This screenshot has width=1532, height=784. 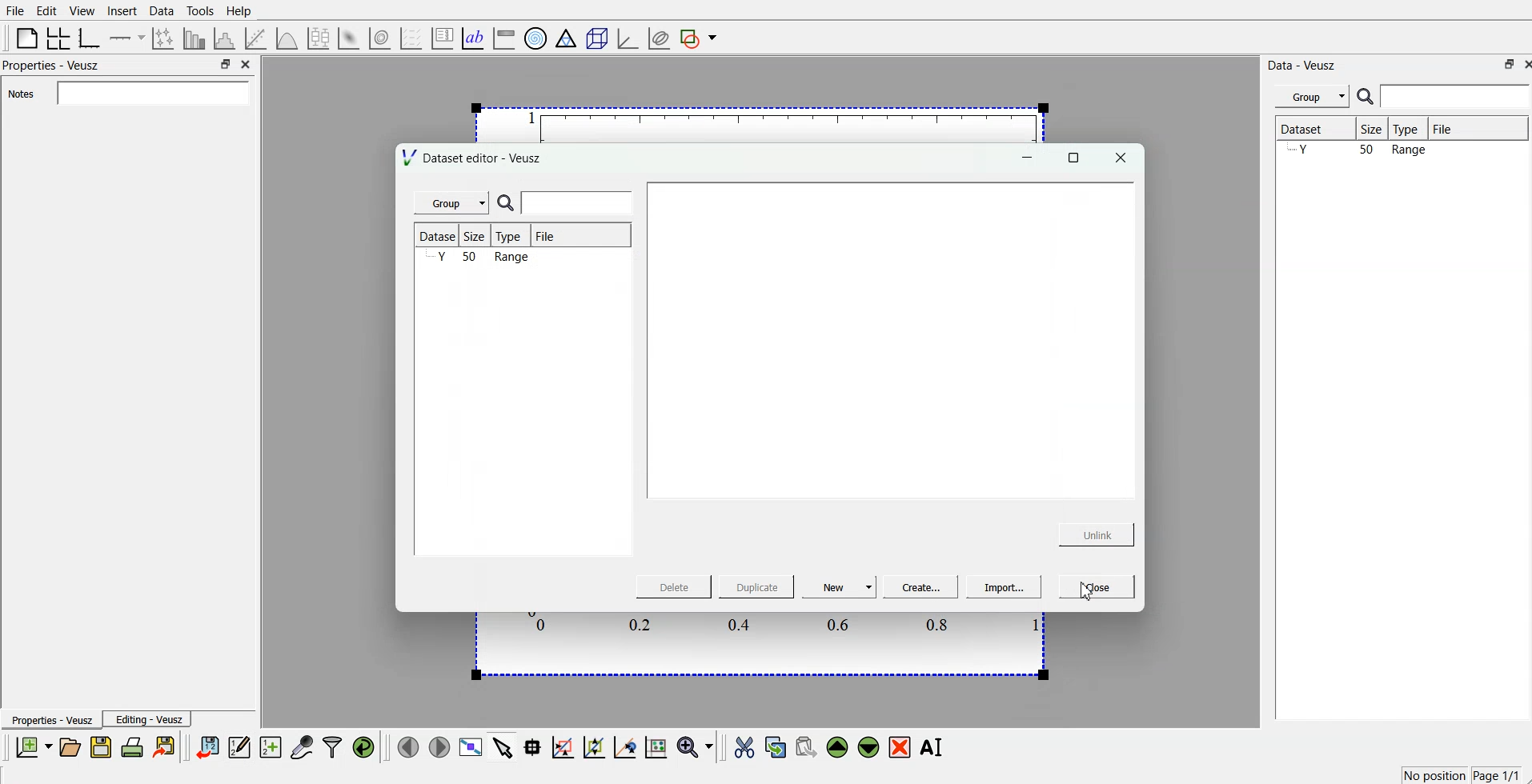 I want to click on maximise, so click(x=1074, y=157).